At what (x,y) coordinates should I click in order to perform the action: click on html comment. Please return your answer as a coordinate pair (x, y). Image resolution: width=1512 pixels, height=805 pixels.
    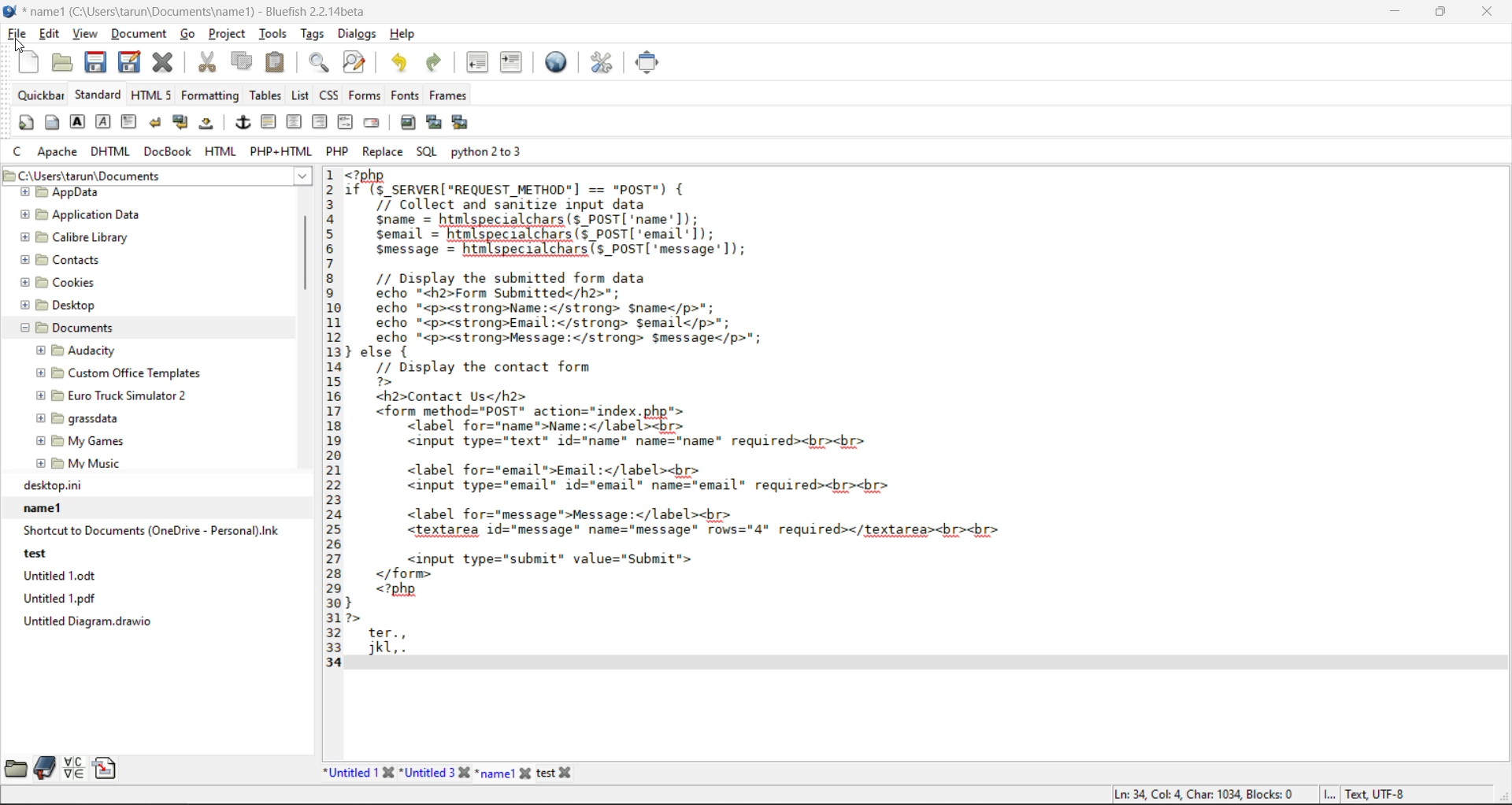
    Looking at the image, I should click on (346, 123).